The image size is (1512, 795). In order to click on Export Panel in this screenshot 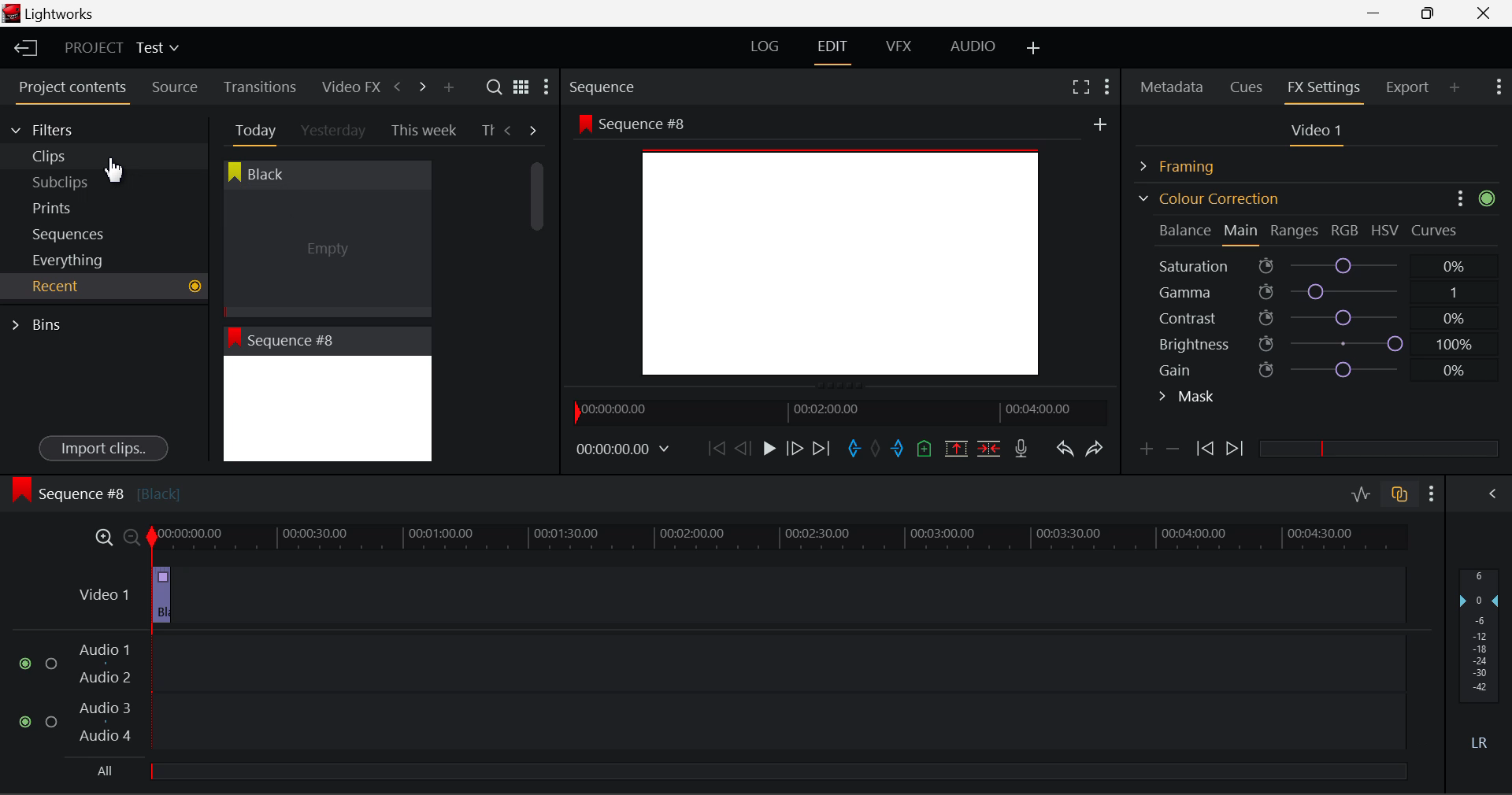, I will do `click(1410, 87)`.